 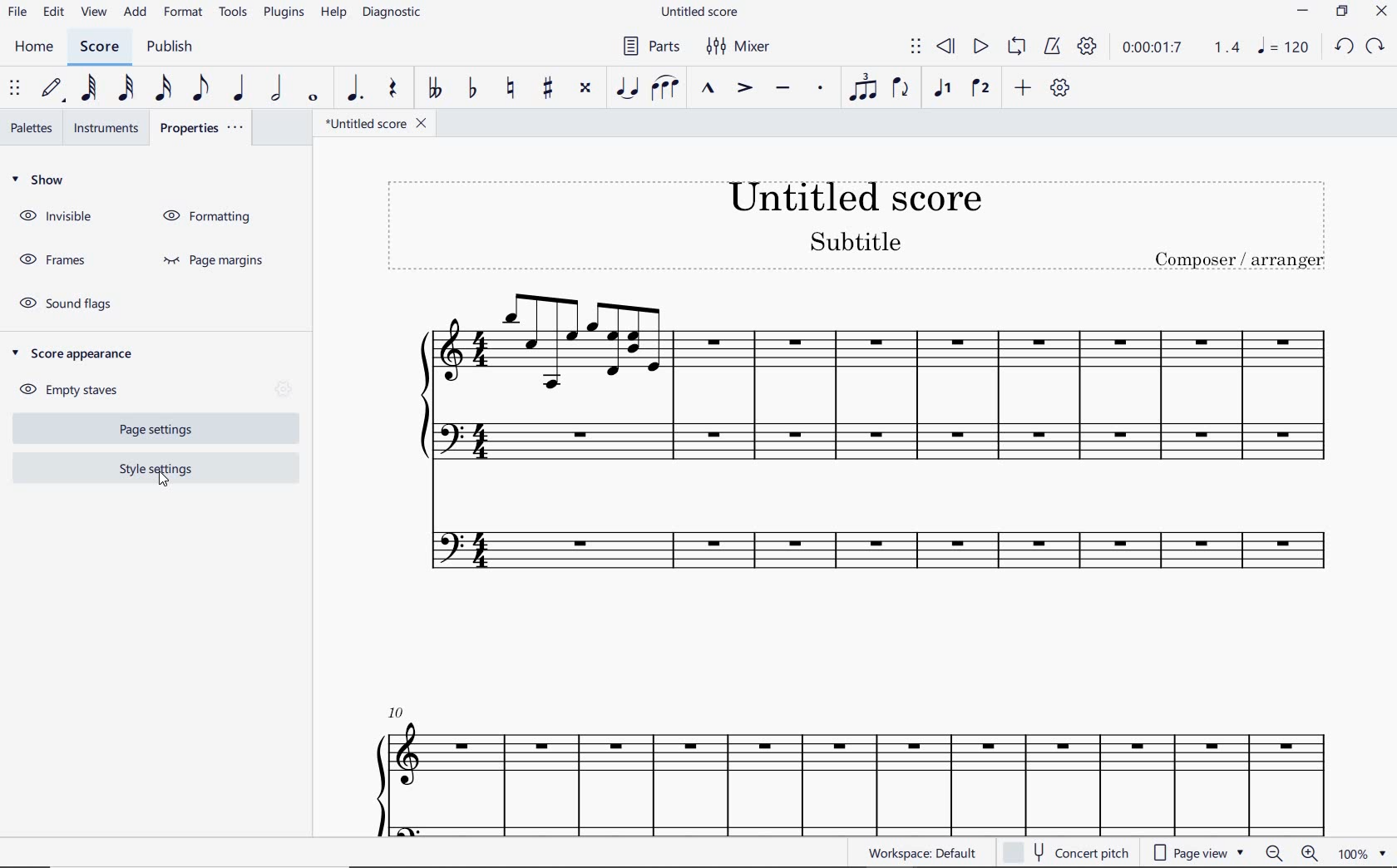 What do you see at coordinates (150, 430) in the screenshot?
I see `PAGE SETTINGS` at bounding box center [150, 430].